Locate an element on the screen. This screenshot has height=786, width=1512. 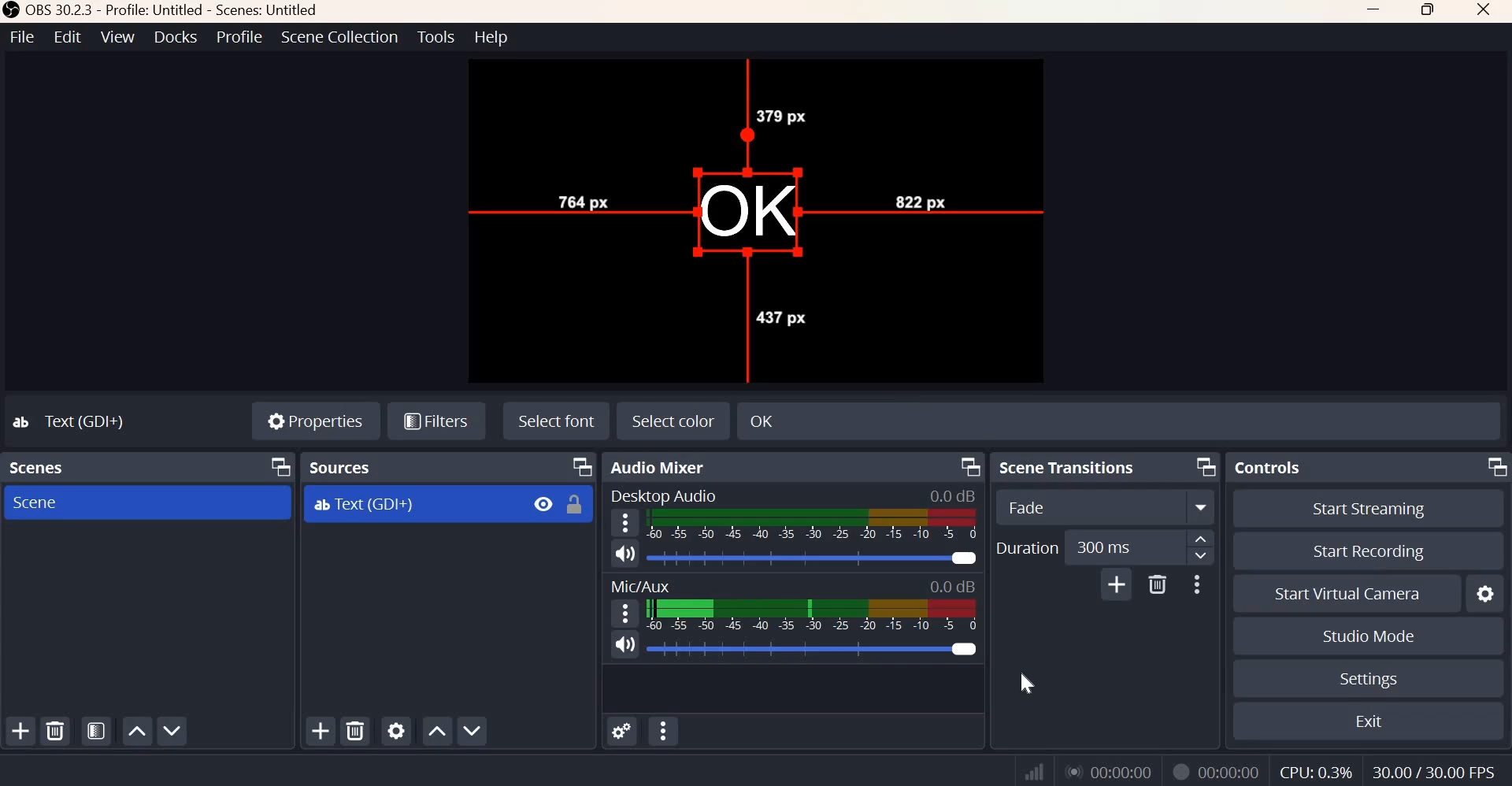
Scene transitions is located at coordinates (1069, 467).